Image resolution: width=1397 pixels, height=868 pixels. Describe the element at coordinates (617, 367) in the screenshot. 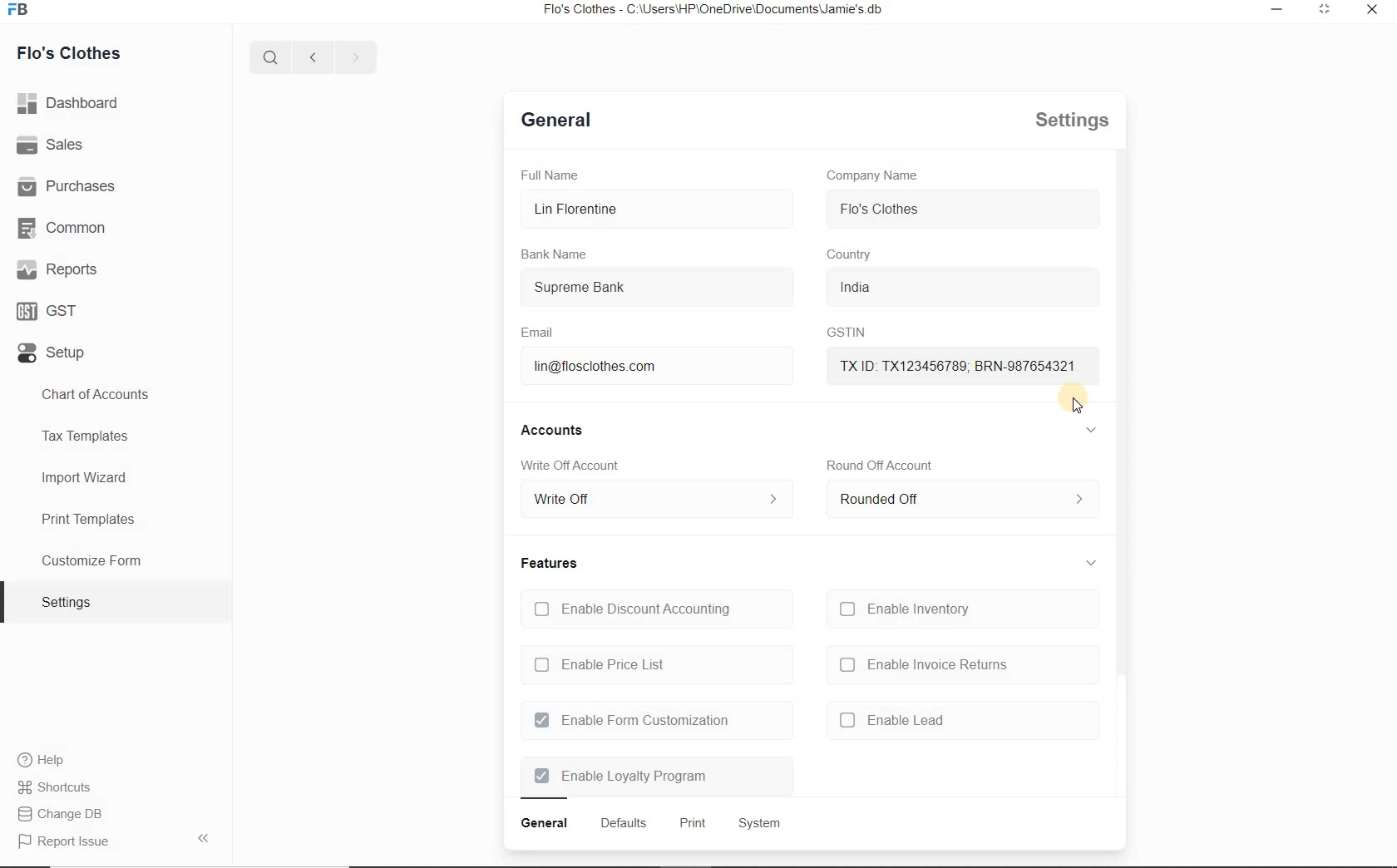

I see `lin@flosclothes.com` at that location.